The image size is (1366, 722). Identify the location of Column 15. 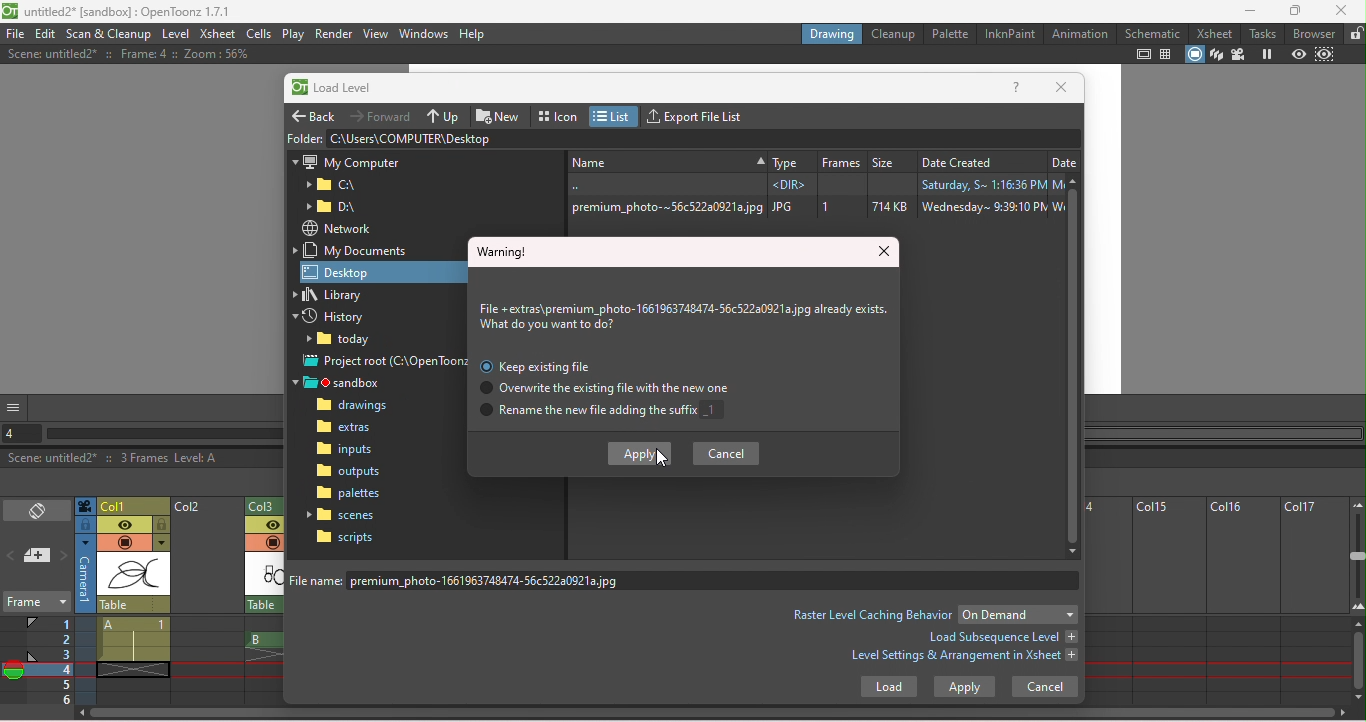
(1165, 601).